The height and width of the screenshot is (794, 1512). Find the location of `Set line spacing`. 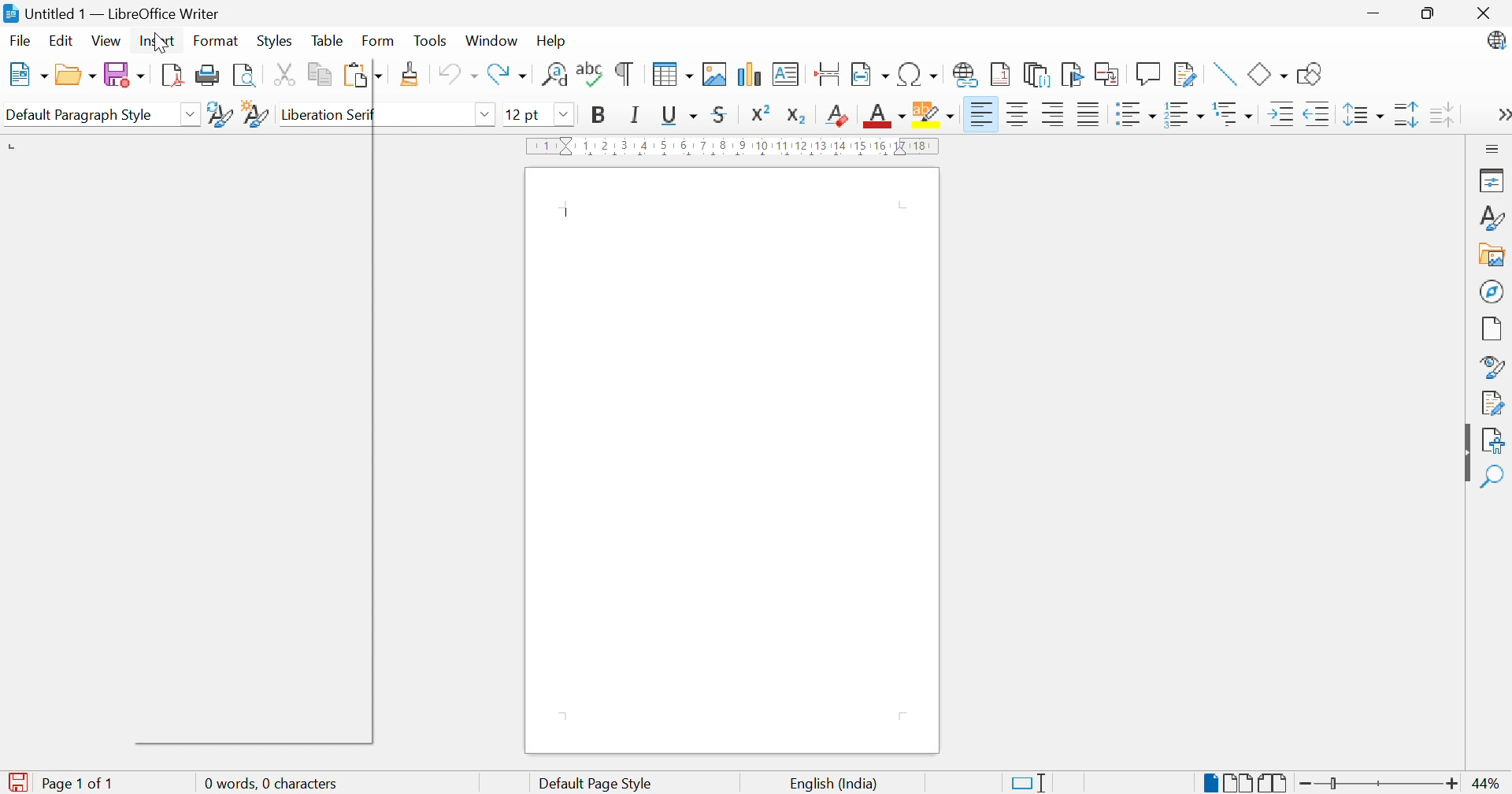

Set line spacing is located at coordinates (1365, 114).